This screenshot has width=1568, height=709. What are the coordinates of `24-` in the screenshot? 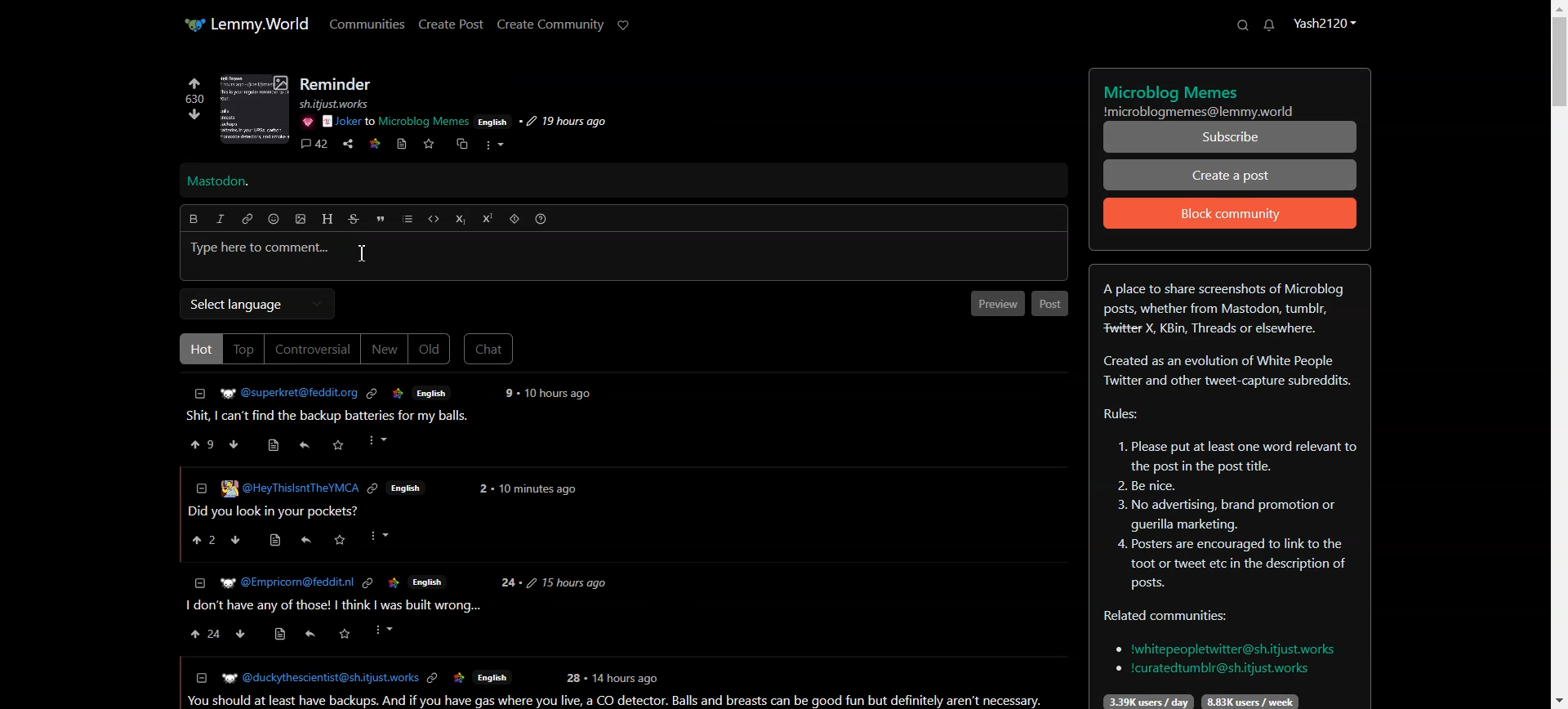 It's located at (508, 583).